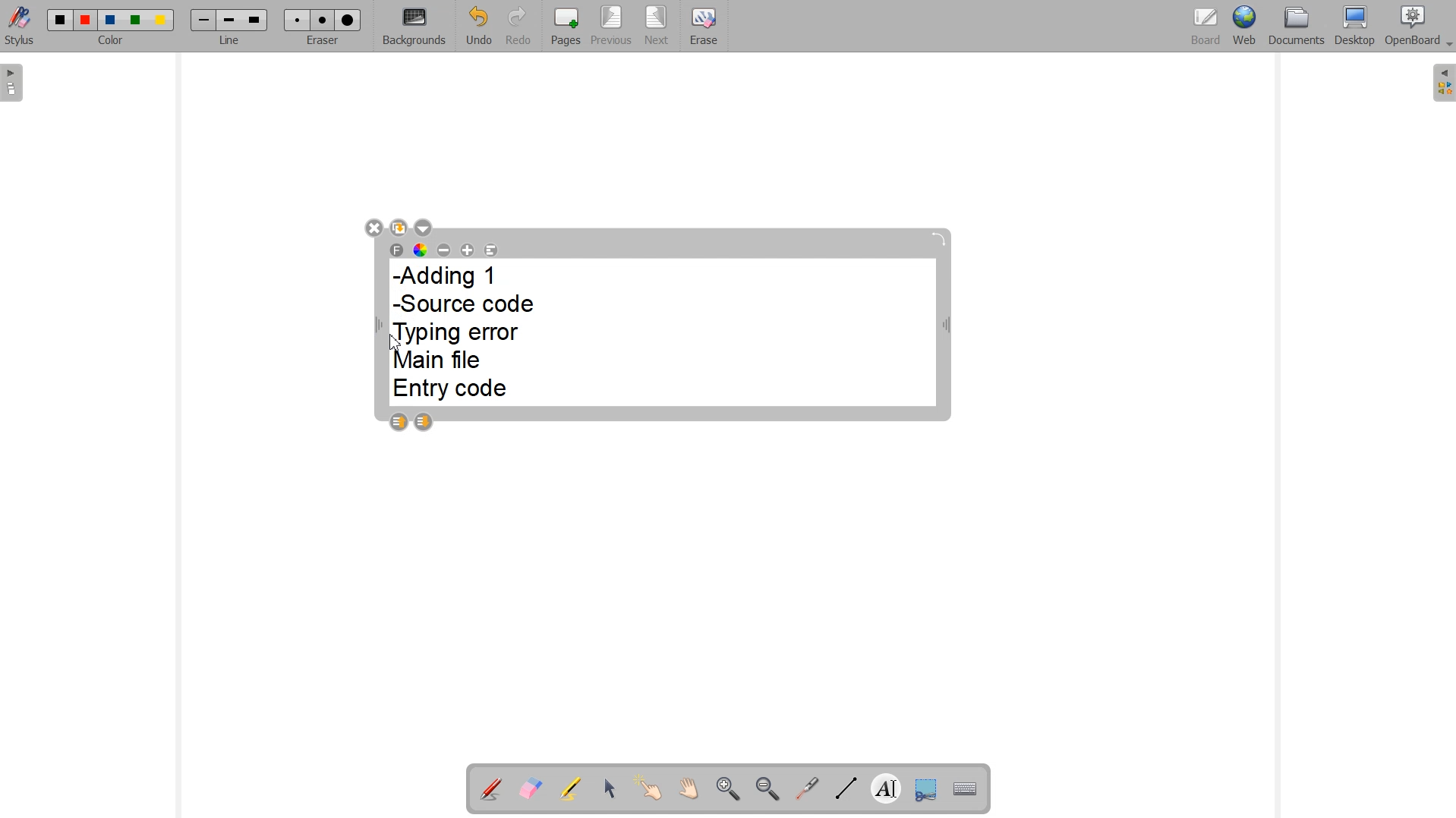 The width and height of the screenshot is (1456, 818). Describe the element at coordinates (348, 20) in the screenshot. I see `Large eraser` at that location.